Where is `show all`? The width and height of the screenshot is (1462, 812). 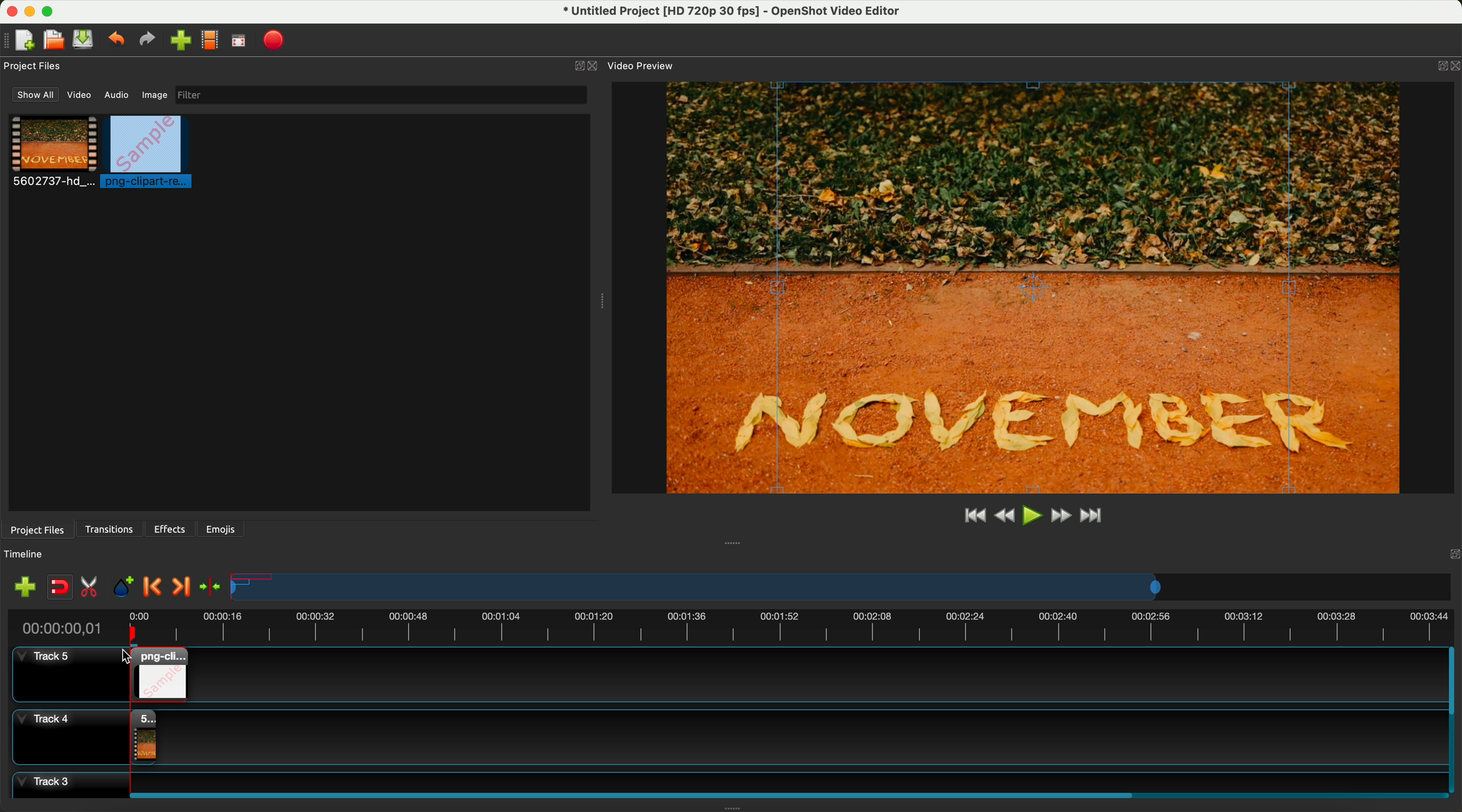
show all is located at coordinates (36, 95).